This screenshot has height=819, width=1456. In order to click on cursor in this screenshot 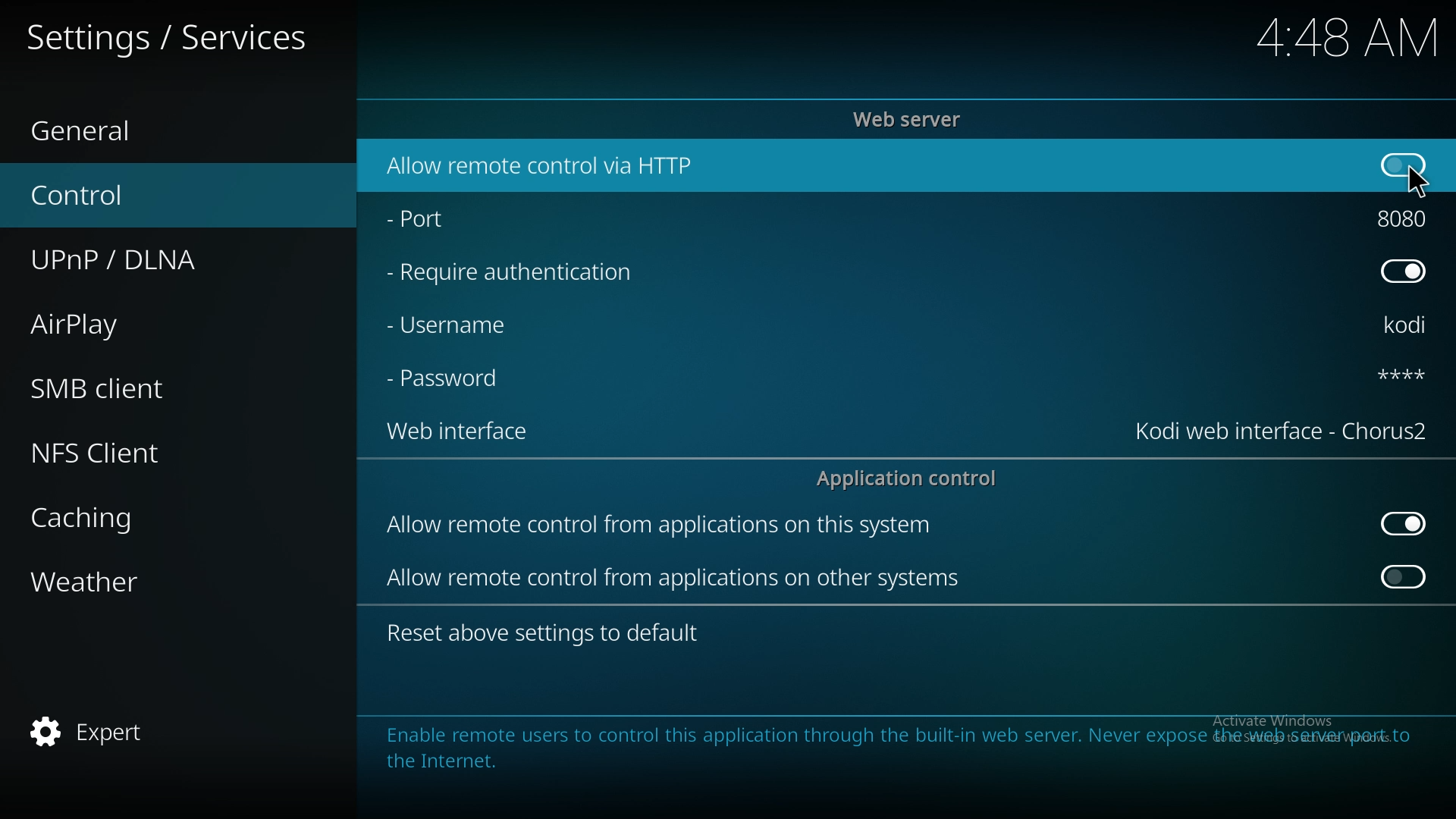, I will do `click(1417, 179)`.